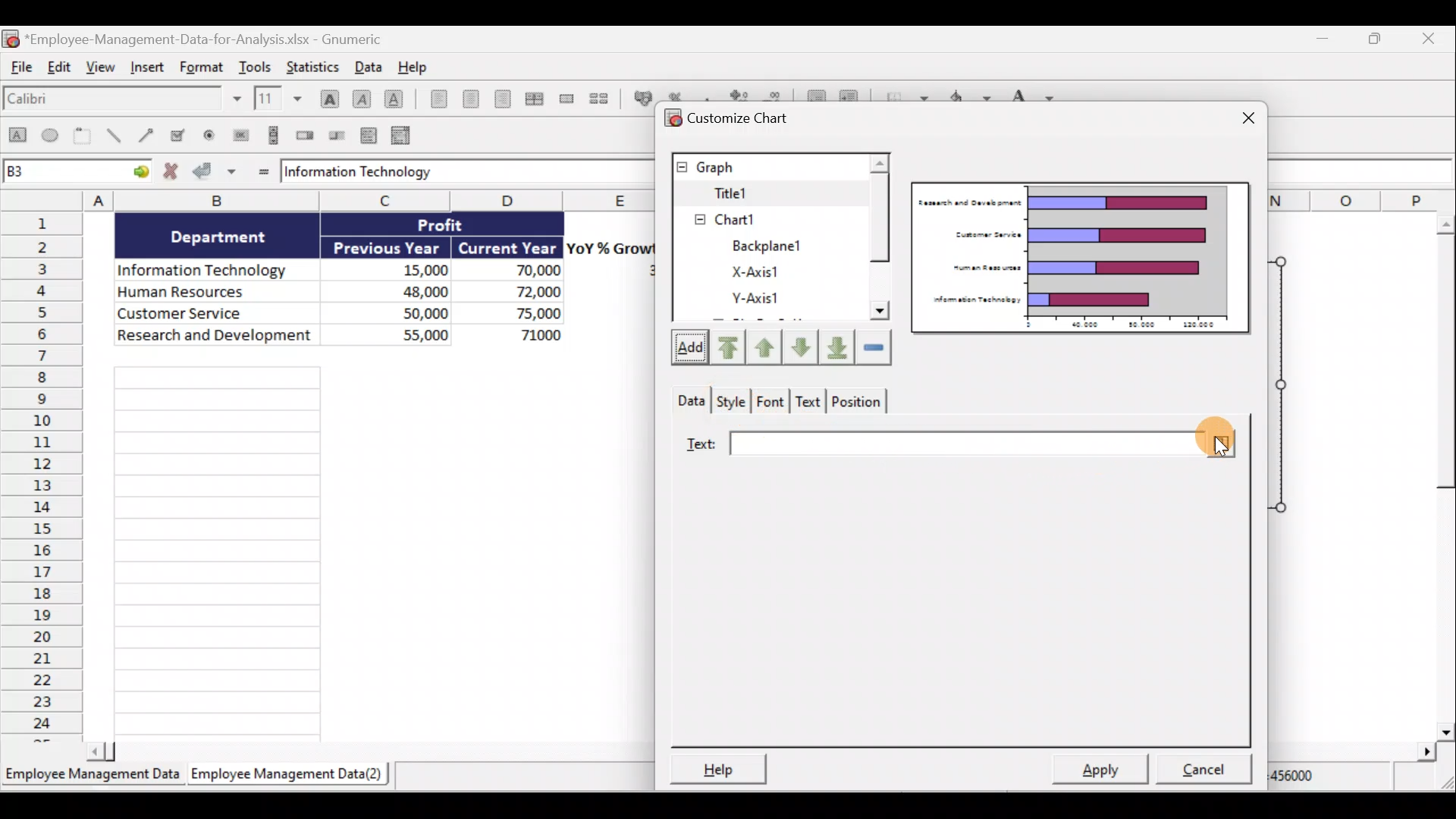  What do you see at coordinates (394, 96) in the screenshot?
I see `Underline` at bounding box center [394, 96].